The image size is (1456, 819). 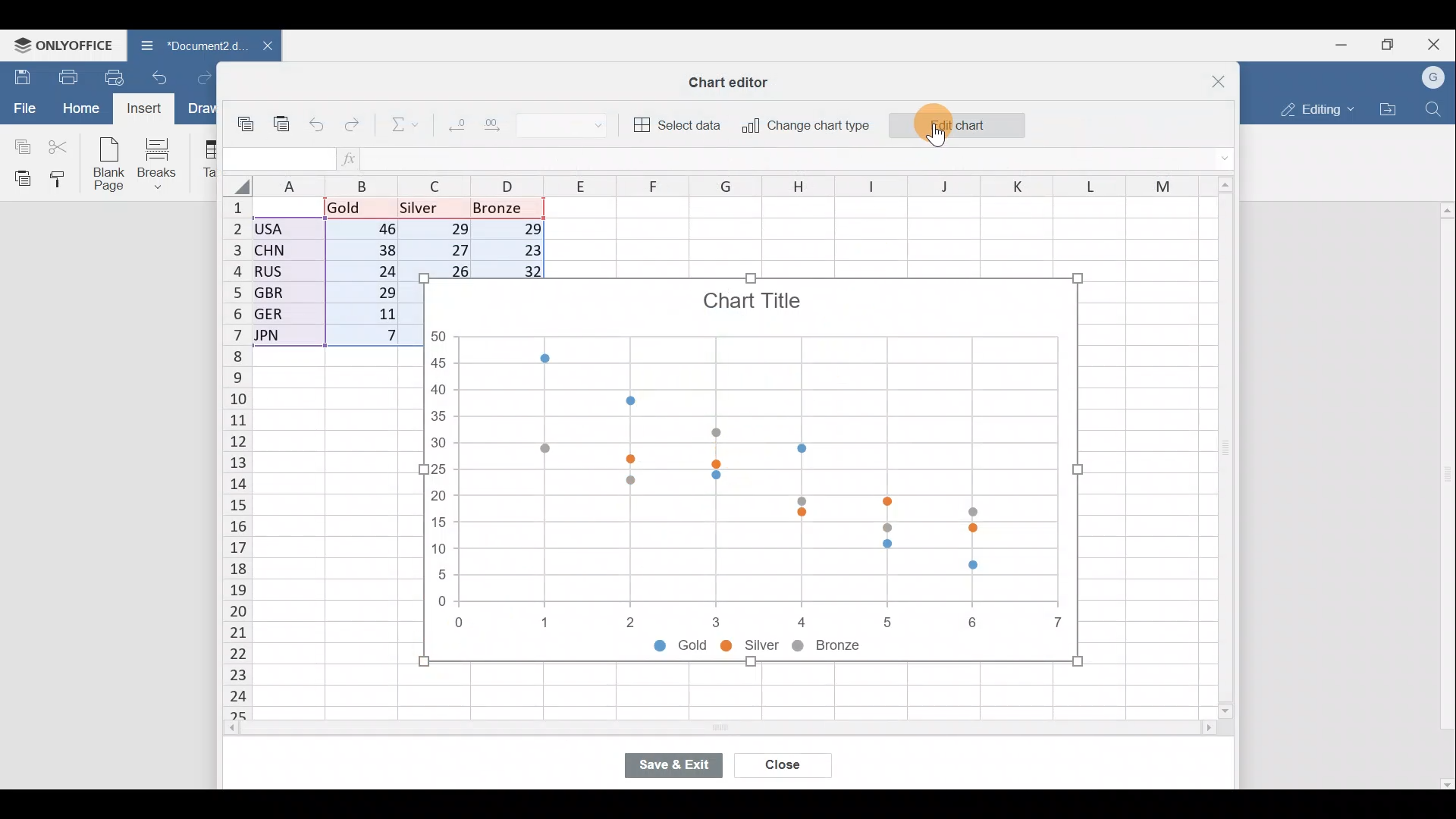 What do you see at coordinates (736, 79) in the screenshot?
I see `Chart editor` at bounding box center [736, 79].